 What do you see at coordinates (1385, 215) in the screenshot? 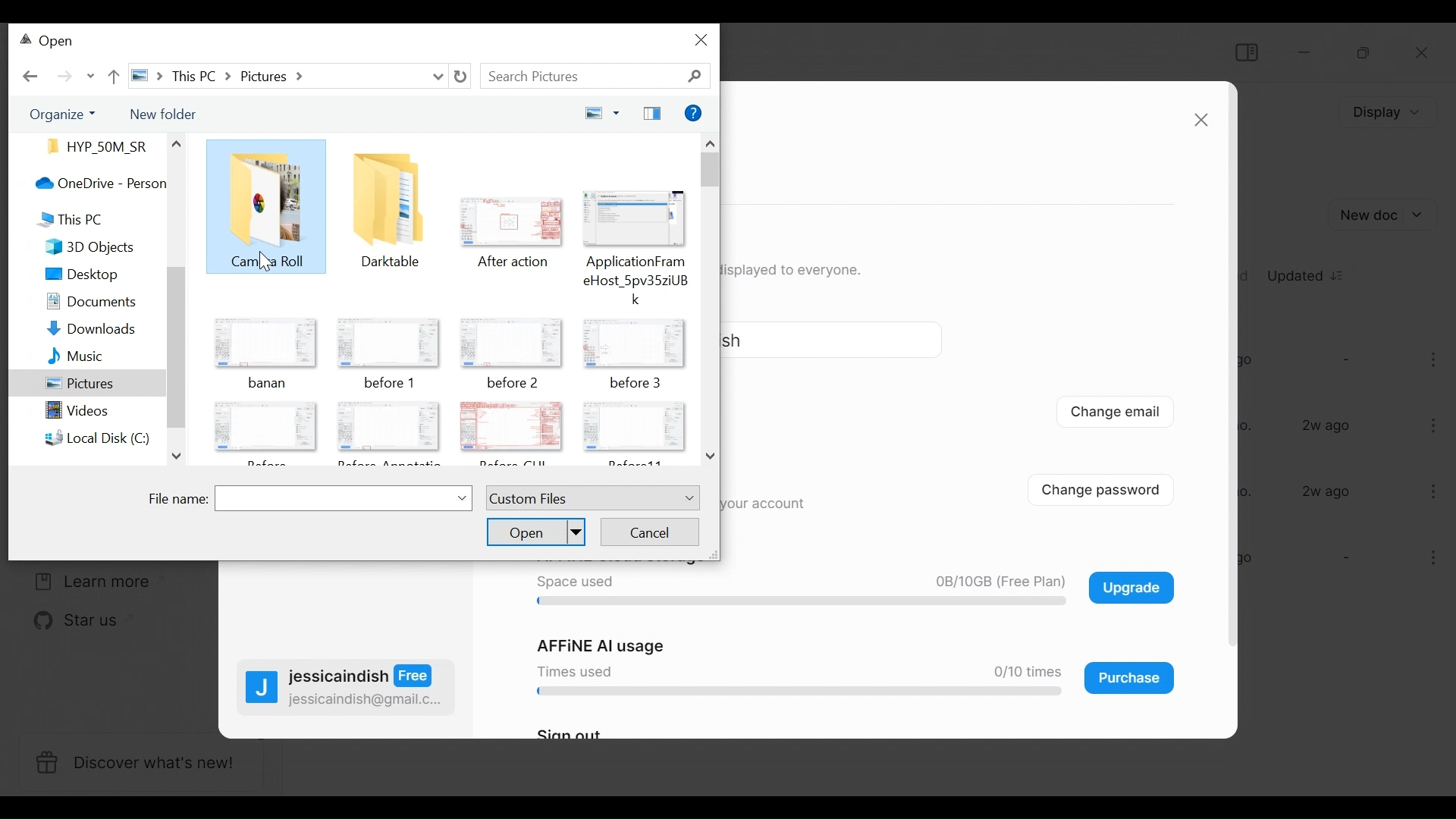
I see `Add New document` at bounding box center [1385, 215].